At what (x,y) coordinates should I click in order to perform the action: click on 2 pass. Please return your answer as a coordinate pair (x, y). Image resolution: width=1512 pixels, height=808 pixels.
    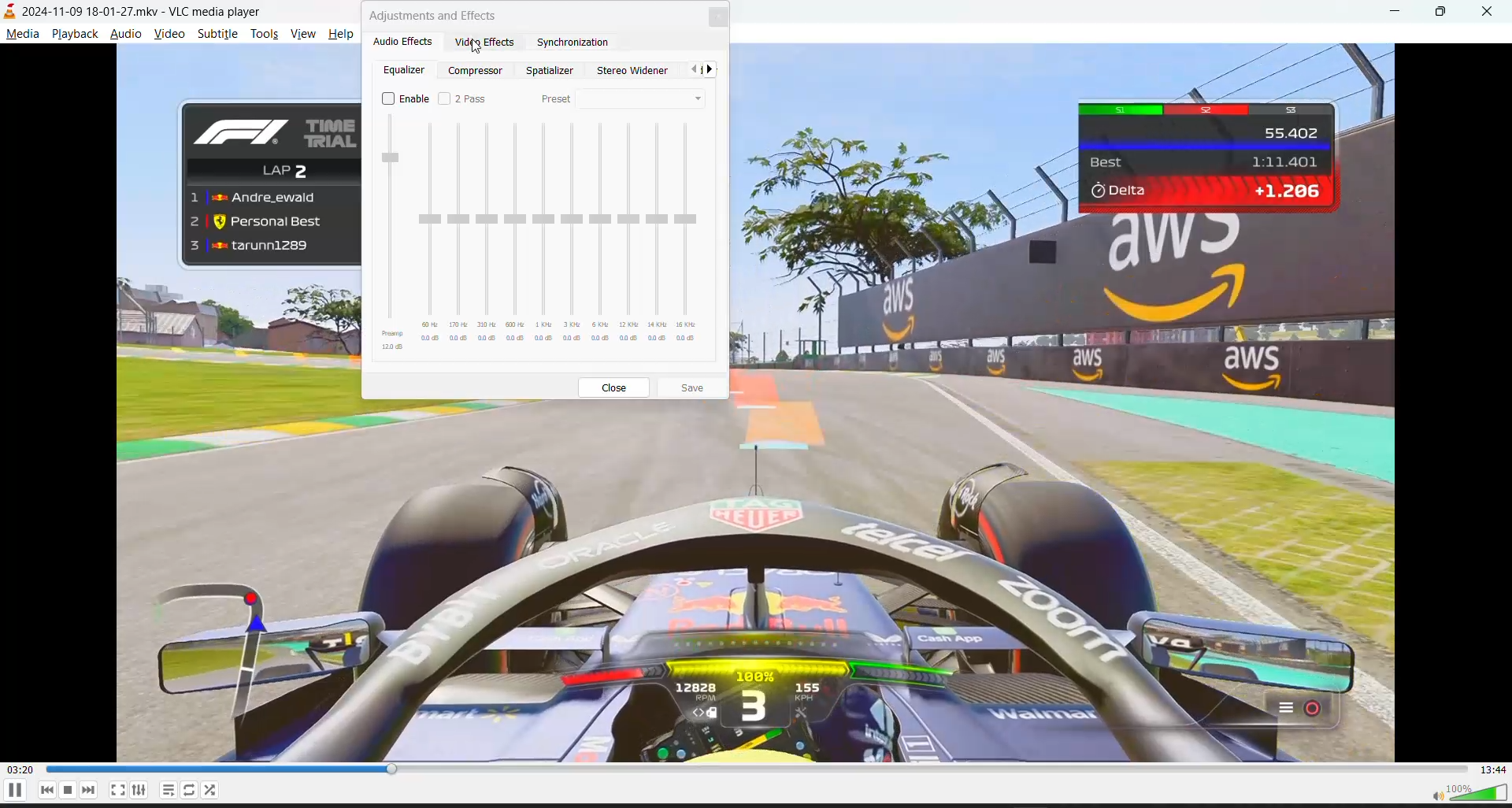
    Looking at the image, I should click on (465, 99).